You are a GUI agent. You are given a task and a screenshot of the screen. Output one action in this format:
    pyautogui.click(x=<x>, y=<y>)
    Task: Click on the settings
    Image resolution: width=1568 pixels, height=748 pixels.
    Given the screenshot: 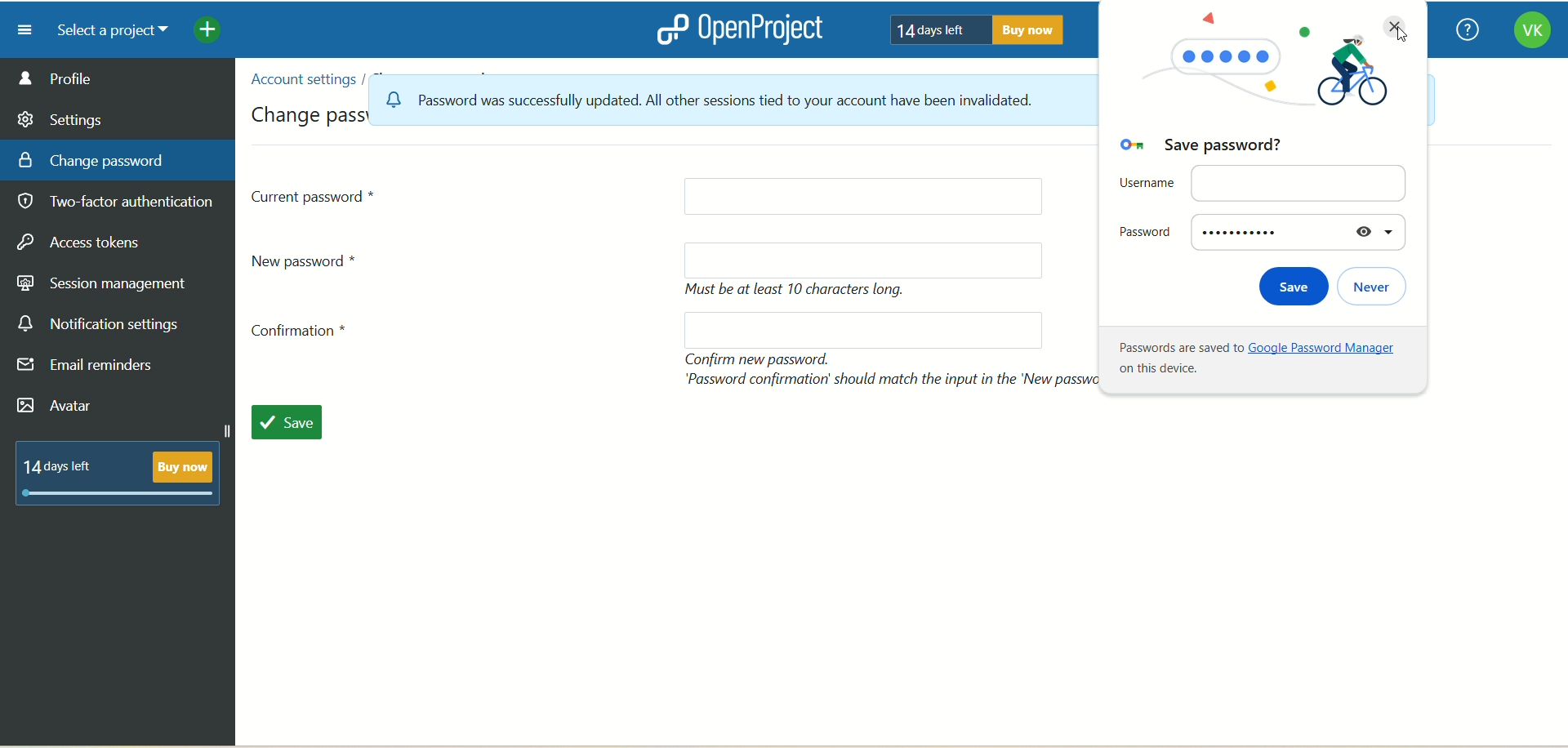 What is the action you would take?
    pyautogui.click(x=61, y=117)
    